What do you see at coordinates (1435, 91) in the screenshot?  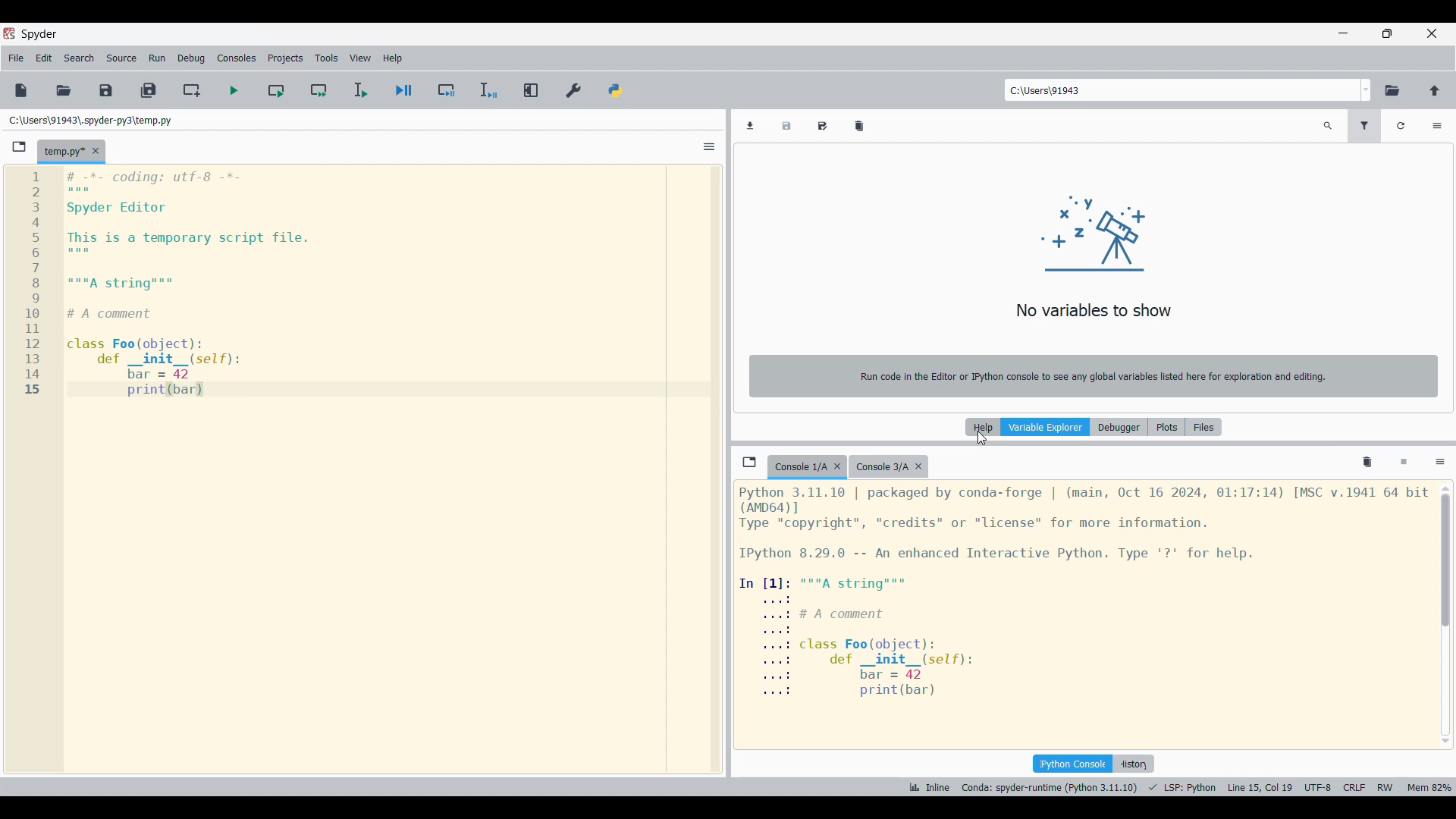 I see `Change to parent directory` at bounding box center [1435, 91].